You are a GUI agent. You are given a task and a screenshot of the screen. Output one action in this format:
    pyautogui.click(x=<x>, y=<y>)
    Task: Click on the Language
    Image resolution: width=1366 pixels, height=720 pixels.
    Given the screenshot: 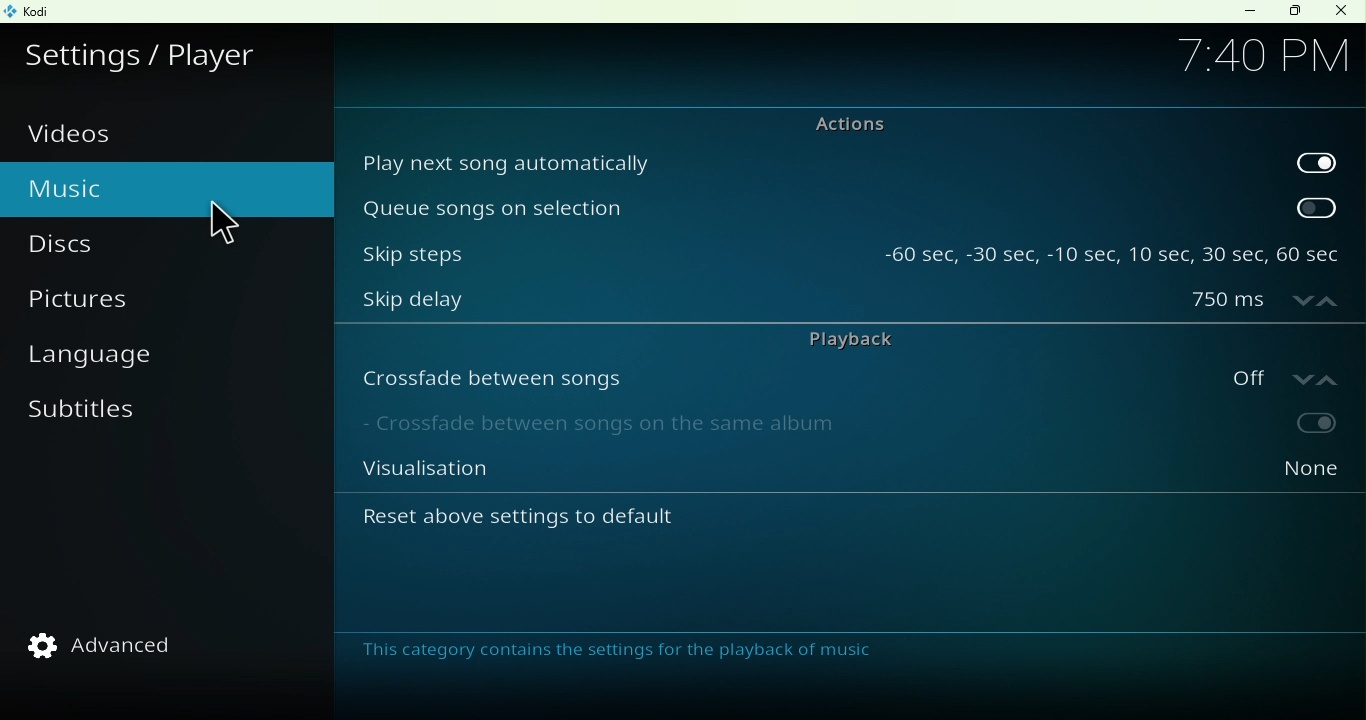 What is the action you would take?
    pyautogui.click(x=108, y=360)
    